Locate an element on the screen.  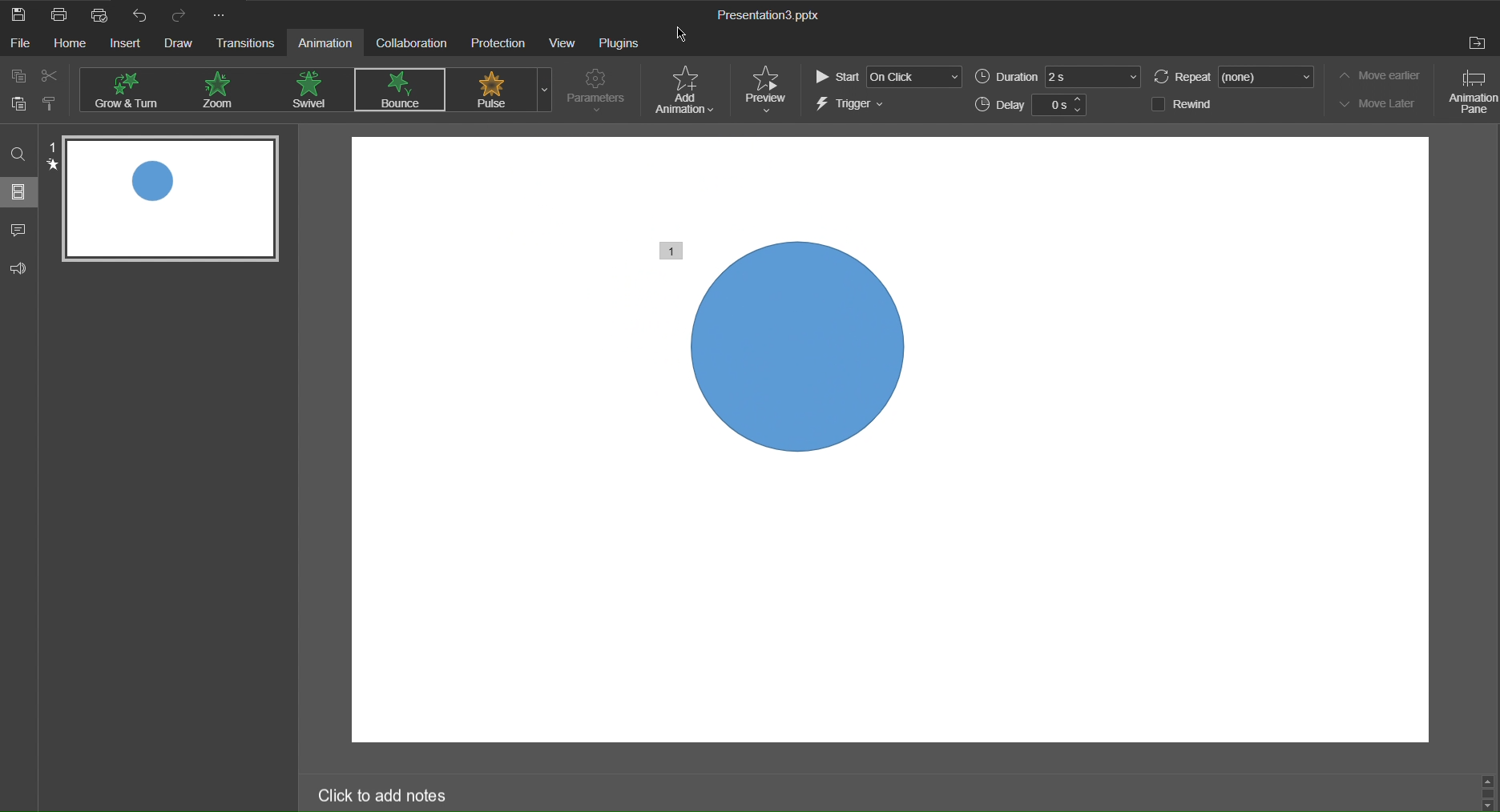
 (none) is located at coordinates (1268, 76).